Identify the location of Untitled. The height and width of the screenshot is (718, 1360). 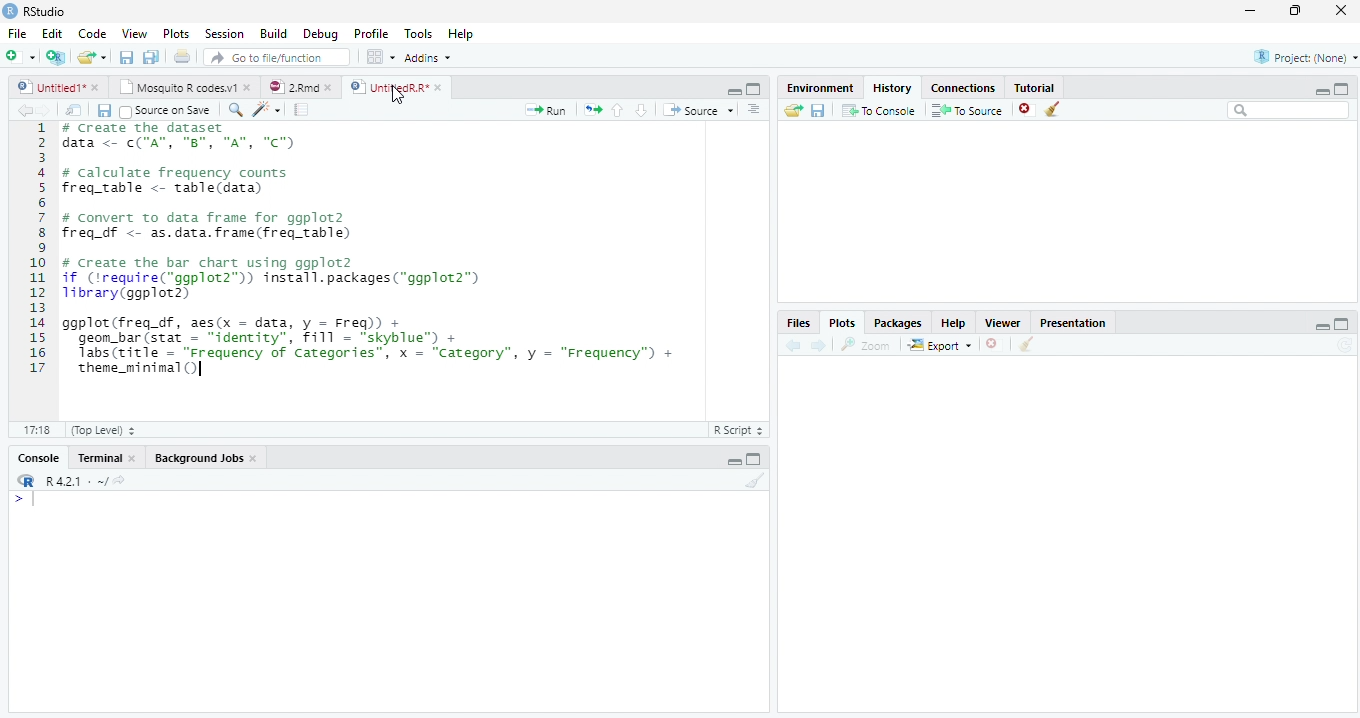
(60, 88).